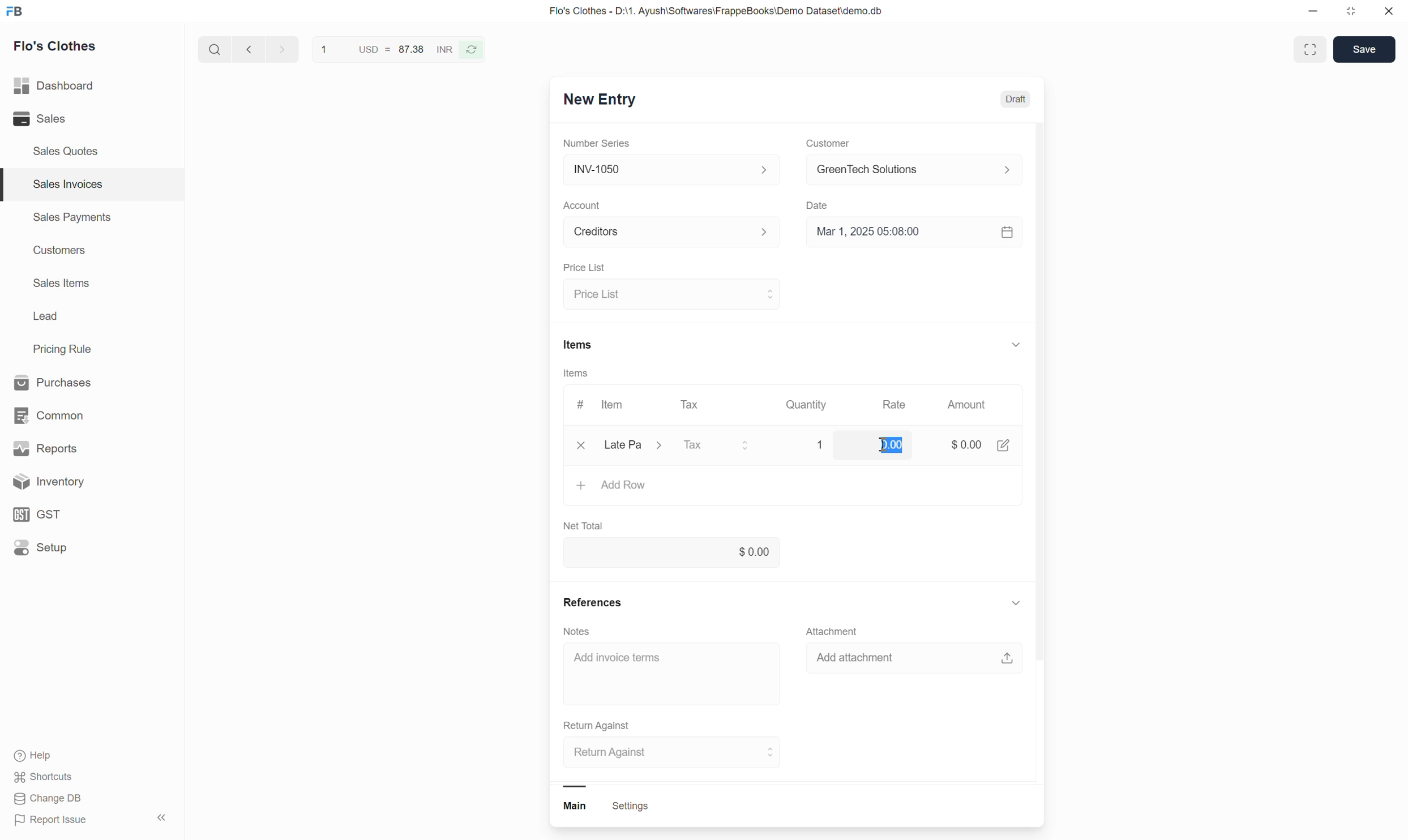 This screenshot has height=840, width=1408. Describe the element at coordinates (609, 100) in the screenshot. I see `New Entry` at that location.